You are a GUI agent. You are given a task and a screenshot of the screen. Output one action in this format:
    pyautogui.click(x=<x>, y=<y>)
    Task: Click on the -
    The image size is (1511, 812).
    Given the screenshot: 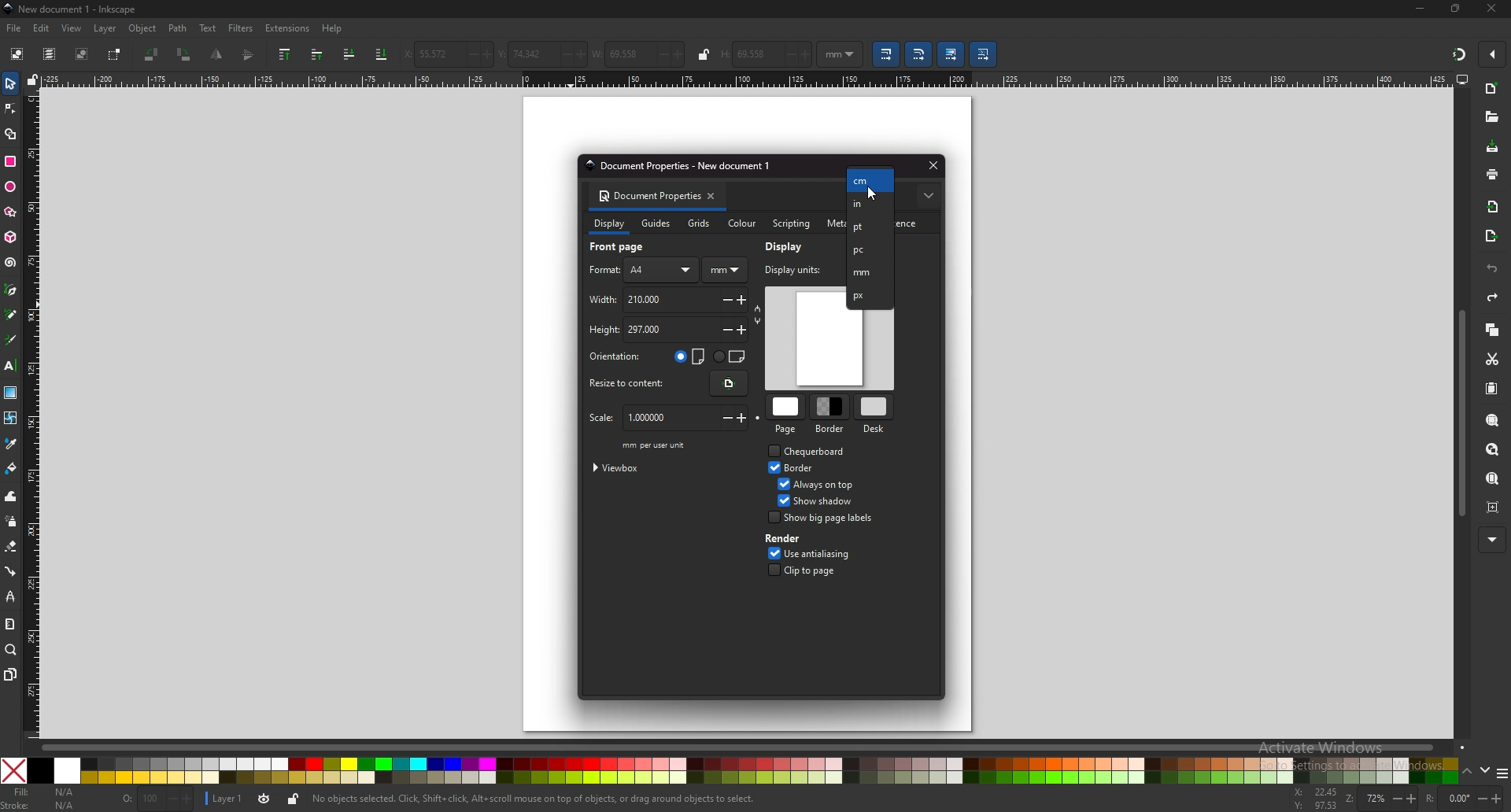 What is the action you would take?
    pyautogui.click(x=789, y=55)
    